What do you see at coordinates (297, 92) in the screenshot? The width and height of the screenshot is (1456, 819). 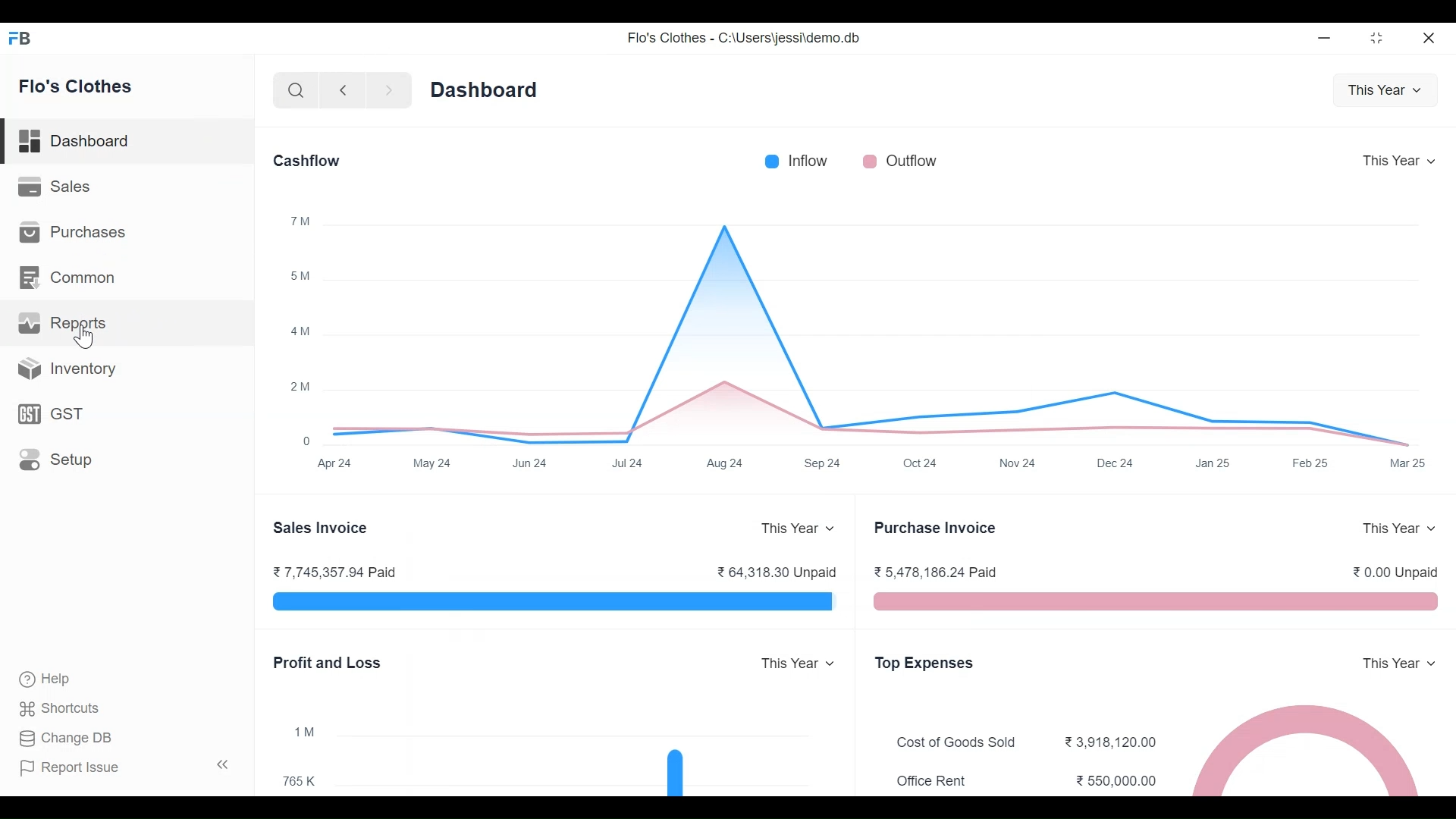 I see `search` at bounding box center [297, 92].